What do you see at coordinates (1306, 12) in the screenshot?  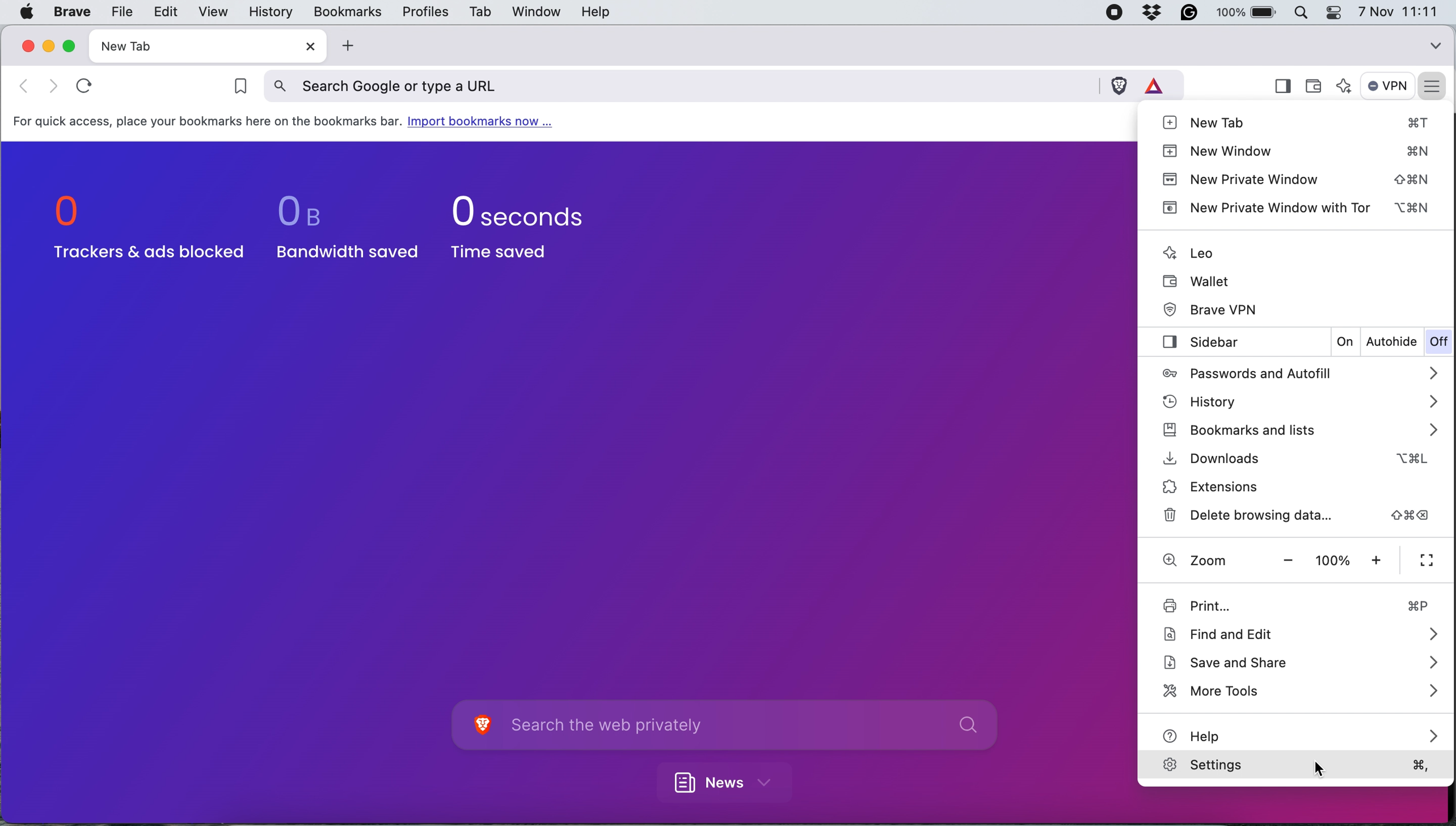 I see `spotlight search` at bounding box center [1306, 12].